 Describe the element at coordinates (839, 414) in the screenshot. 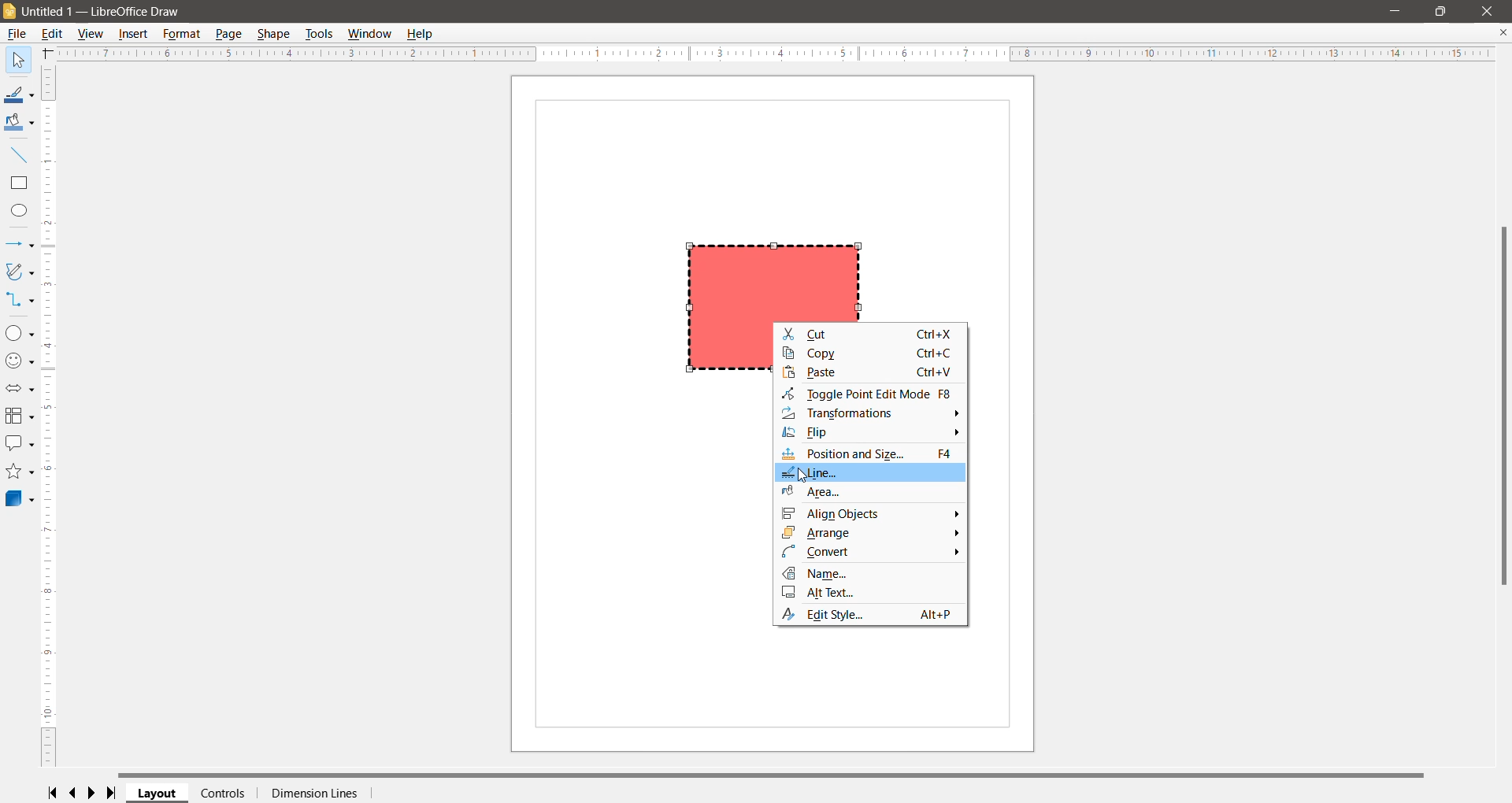

I see `Transformations` at that location.